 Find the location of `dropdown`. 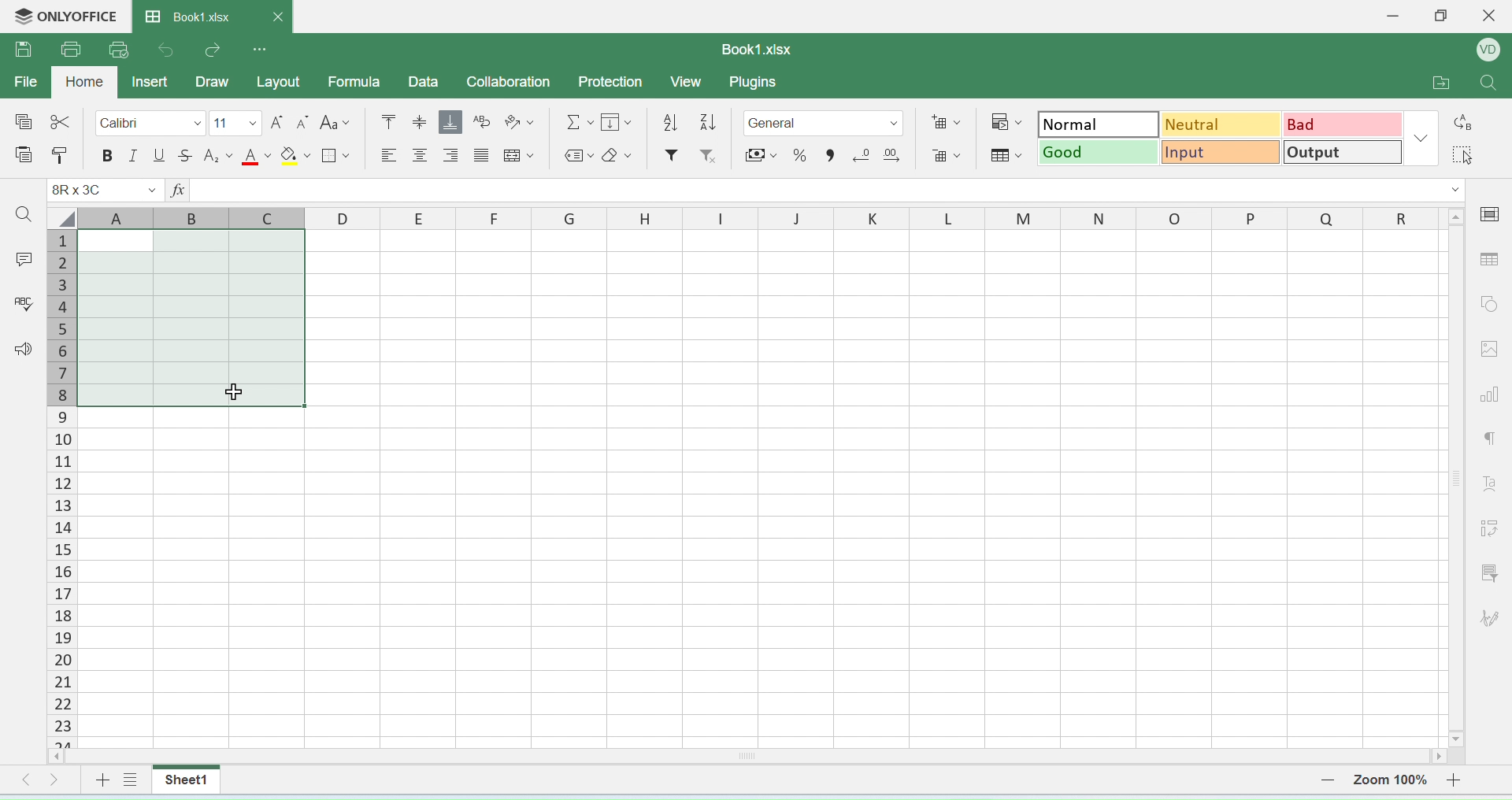

dropdown is located at coordinates (1423, 139).